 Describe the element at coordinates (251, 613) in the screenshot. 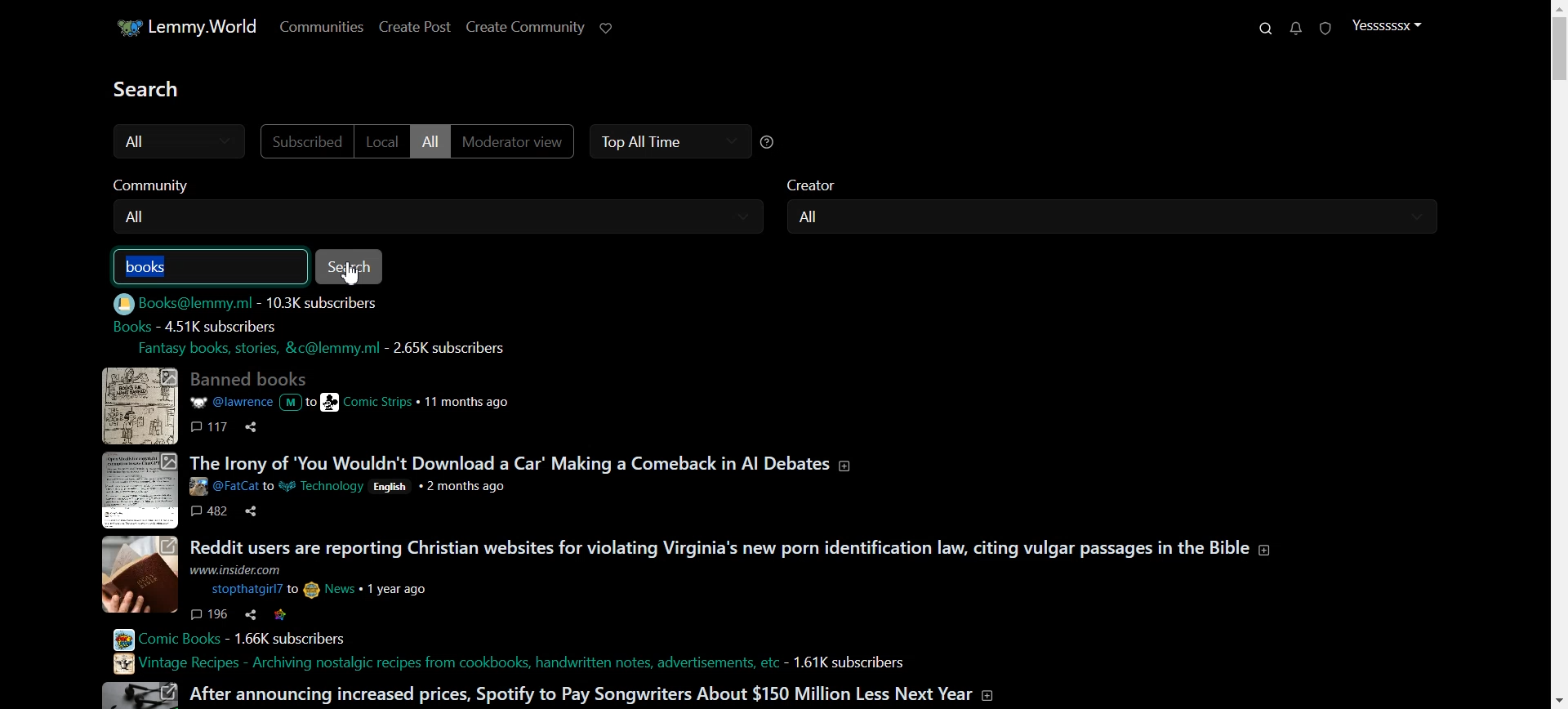

I see `share` at that location.